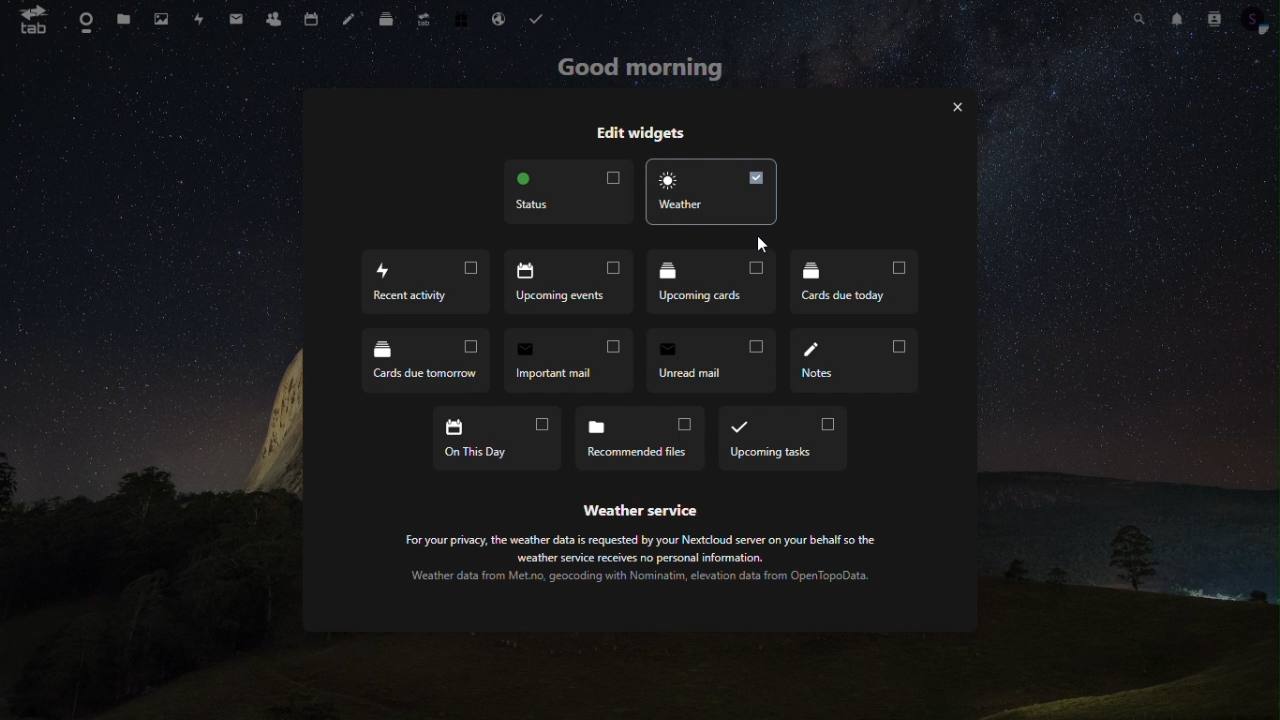 The image size is (1280, 720). I want to click on upcoming tasks, so click(783, 439).